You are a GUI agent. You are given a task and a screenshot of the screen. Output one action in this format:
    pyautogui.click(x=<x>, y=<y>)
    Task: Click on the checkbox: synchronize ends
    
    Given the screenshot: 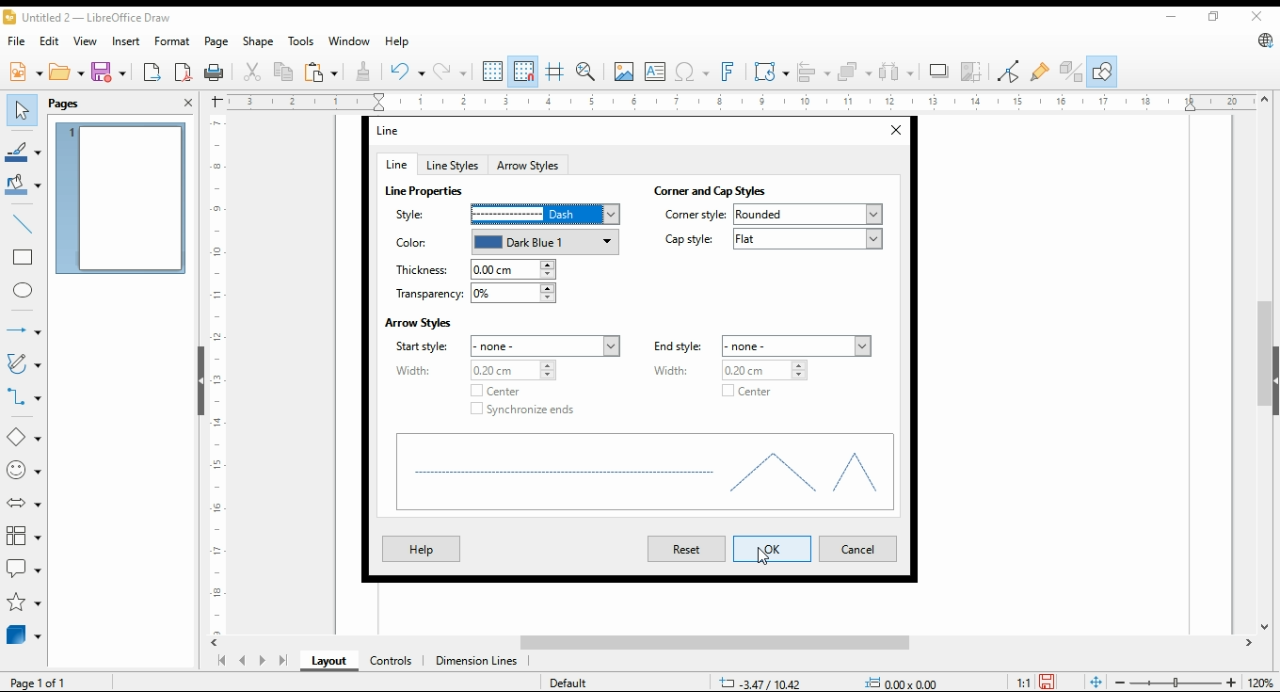 What is the action you would take?
    pyautogui.click(x=523, y=409)
    